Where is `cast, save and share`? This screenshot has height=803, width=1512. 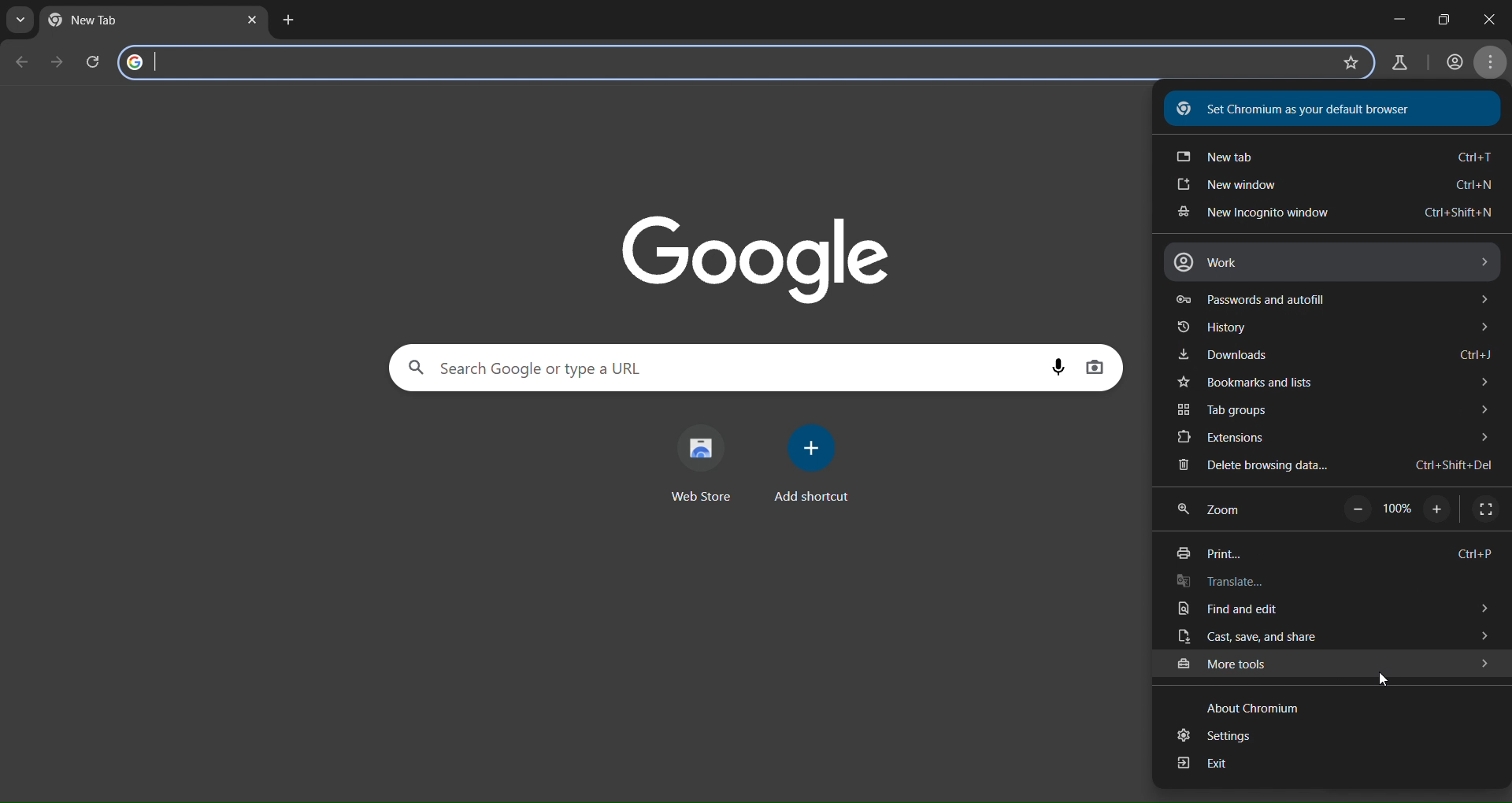 cast, save and share is located at coordinates (1334, 637).